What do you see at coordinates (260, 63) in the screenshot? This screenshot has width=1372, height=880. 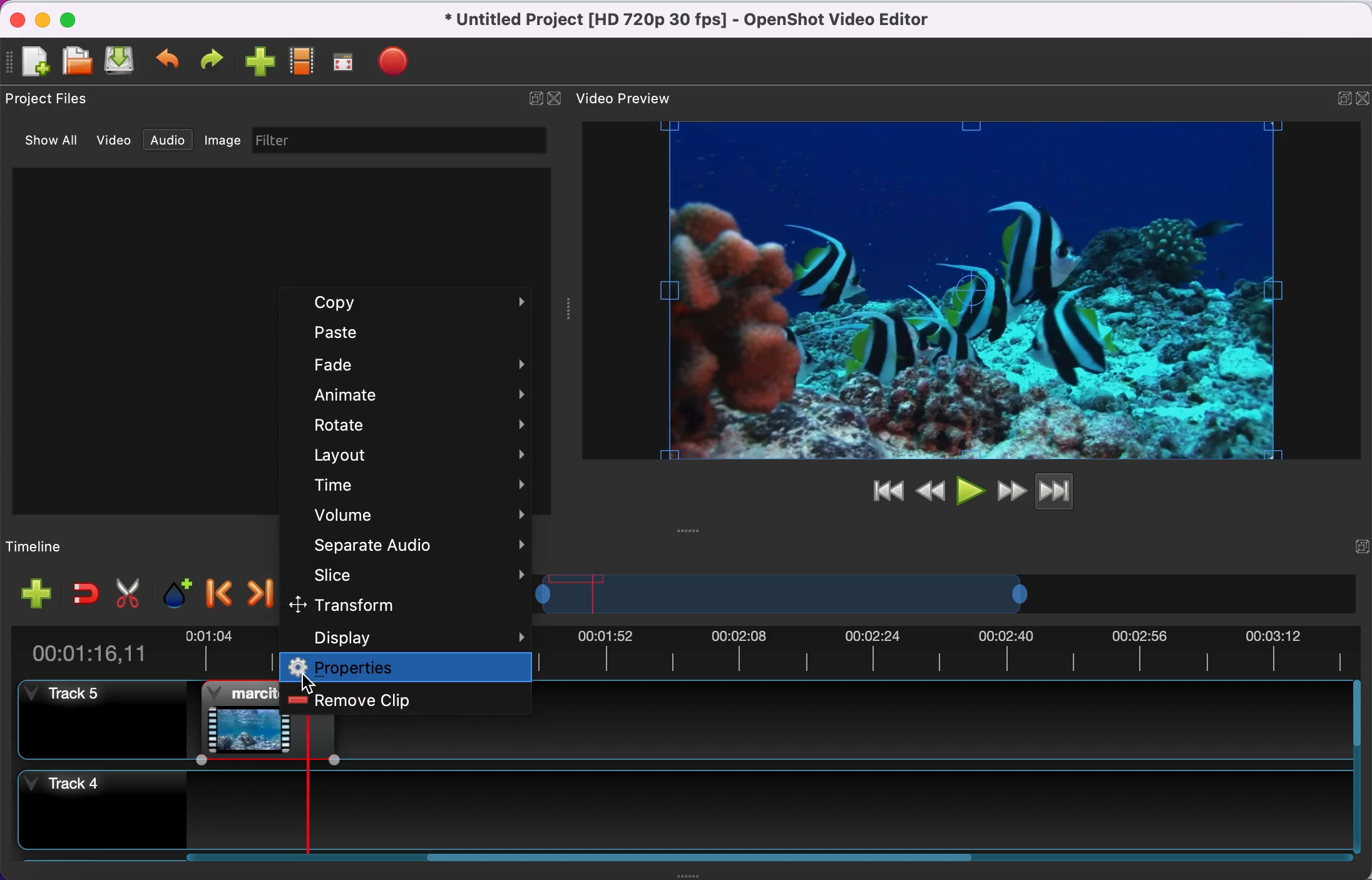 I see `import file` at bounding box center [260, 63].